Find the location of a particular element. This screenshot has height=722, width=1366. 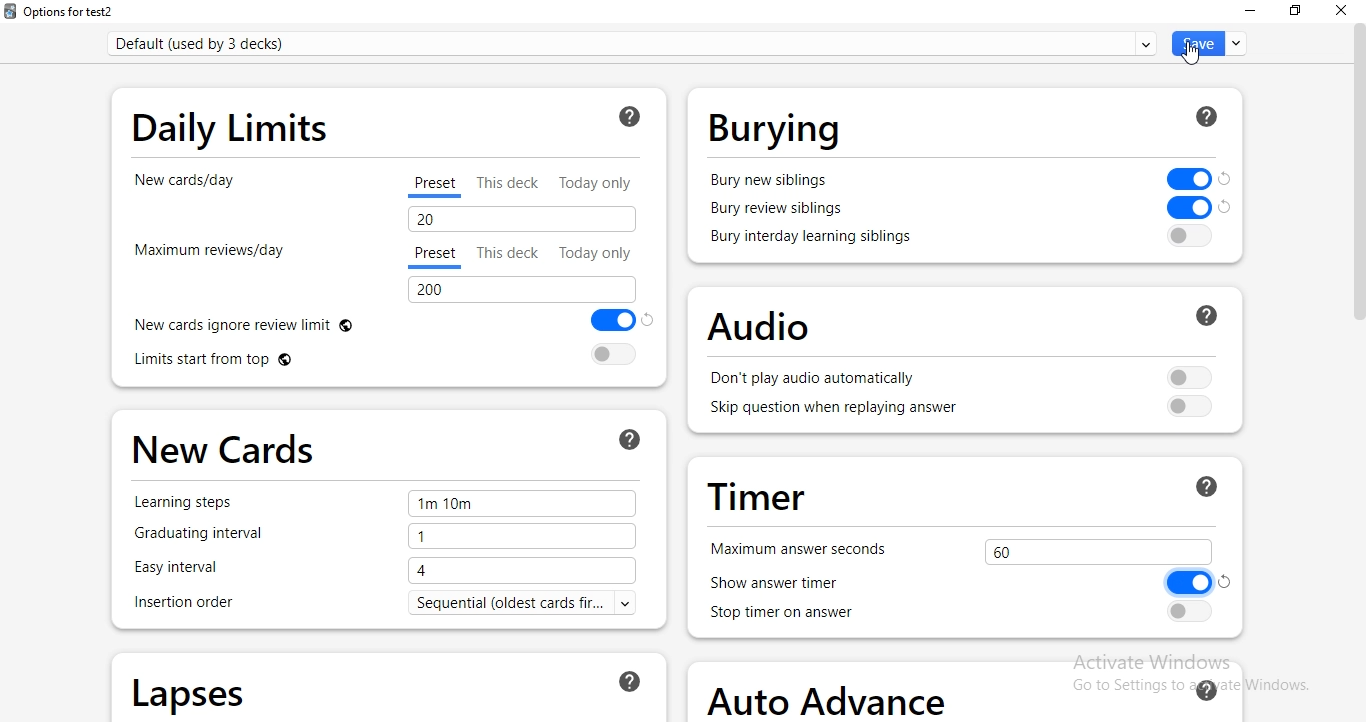

bury new siblings is located at coordinates (971, 180).